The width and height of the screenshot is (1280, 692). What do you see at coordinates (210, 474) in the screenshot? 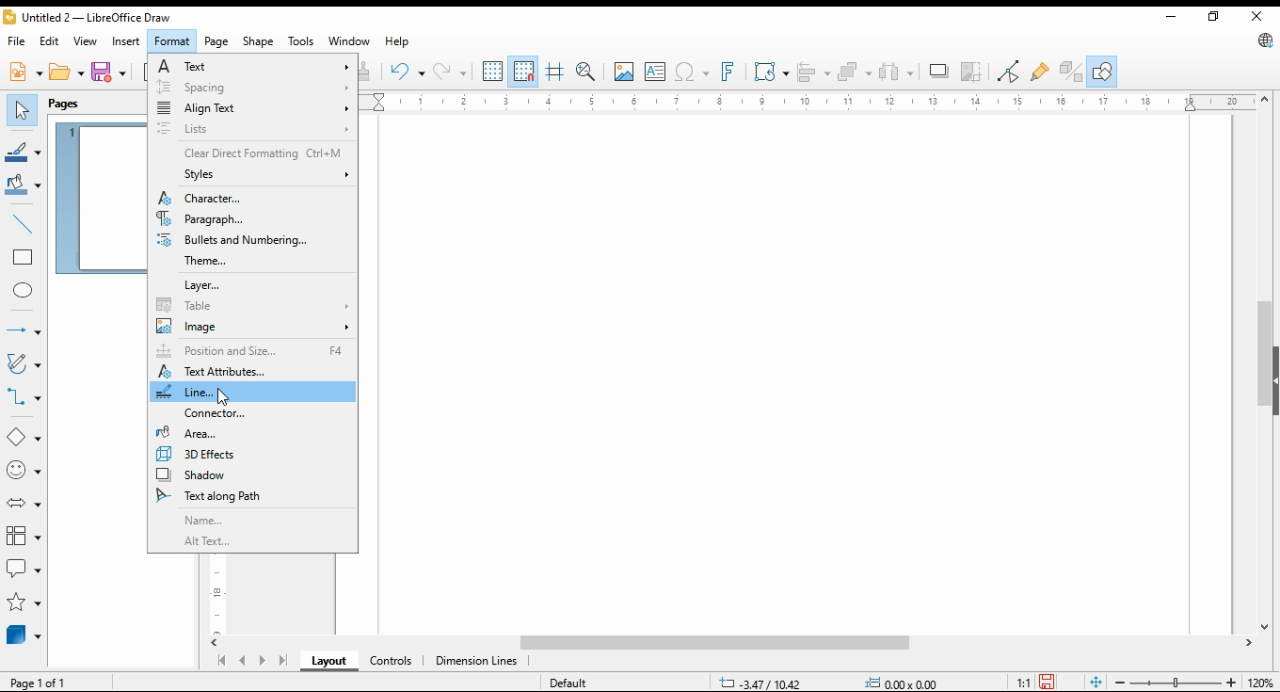
I see `shadow` at bounding box center [210, 474].